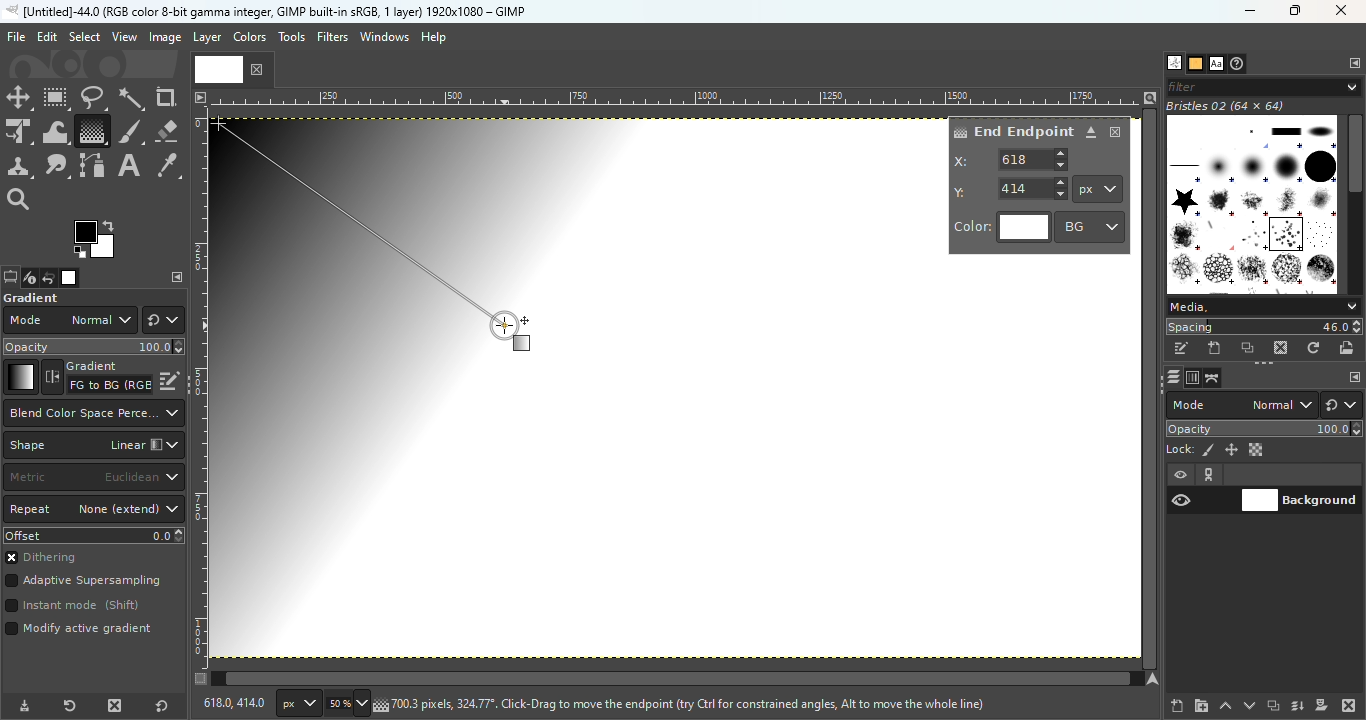  I want to click on Configure this tab, so click(1353, 64).